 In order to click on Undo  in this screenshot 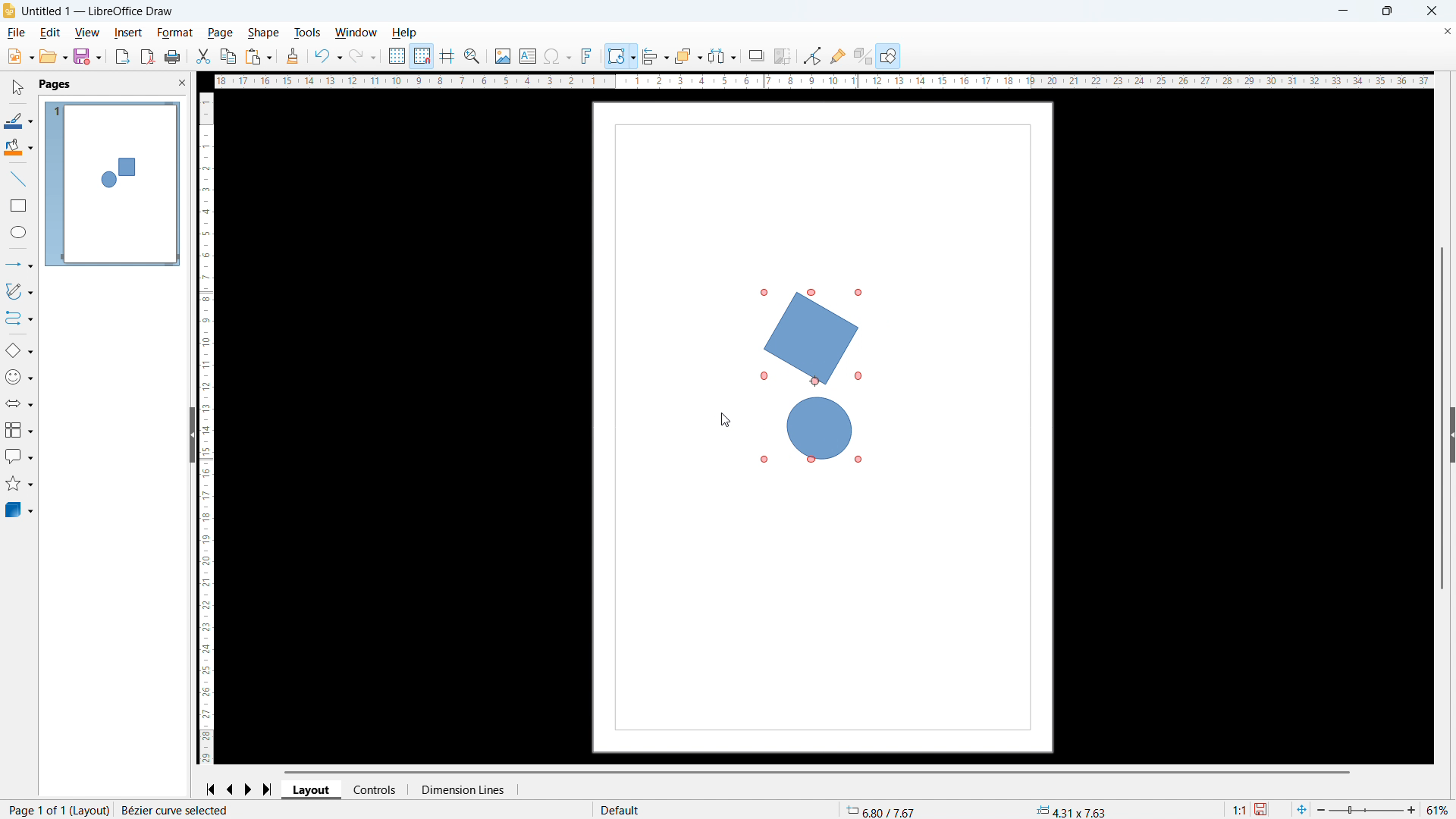, I will do `click(328, 55)`.